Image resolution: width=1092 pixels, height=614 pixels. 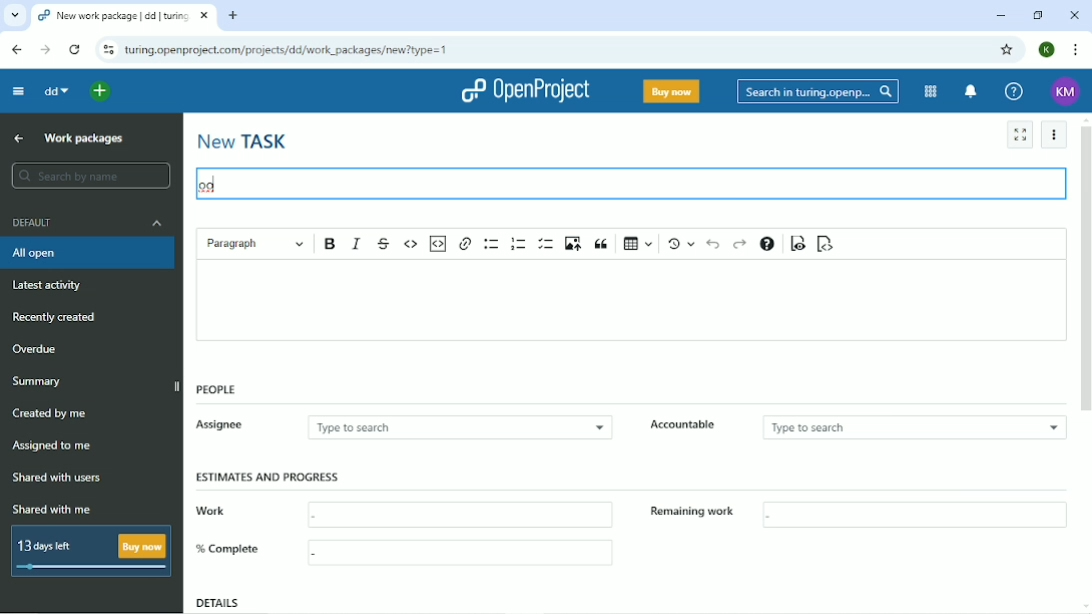 What do you see at coordinates (635, 245) in the screenshot?
I see `Insert table` at bounding box center [635, 245].